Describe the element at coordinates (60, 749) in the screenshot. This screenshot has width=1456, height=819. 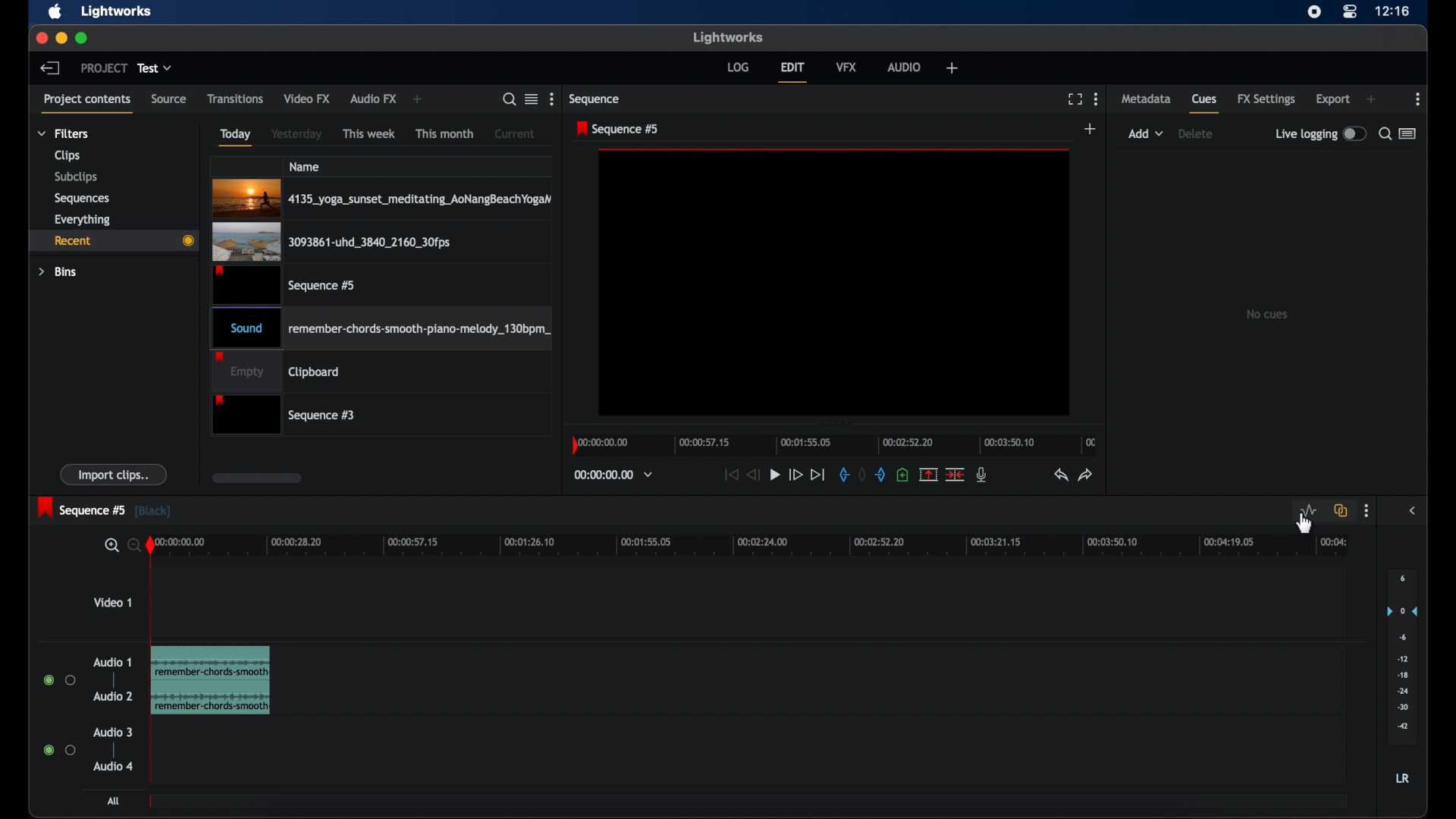
I see `radio buttons` at that location.